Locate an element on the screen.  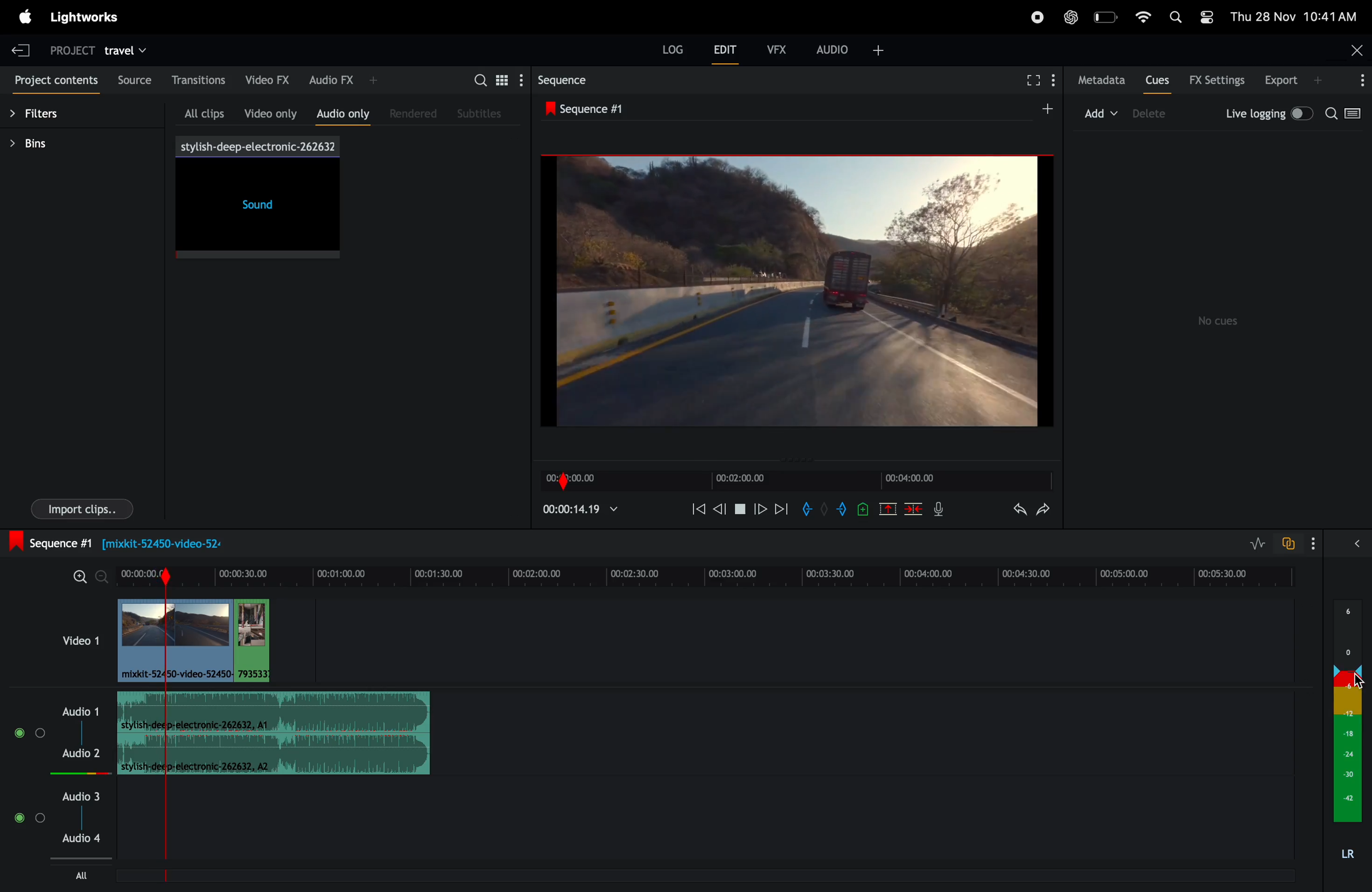
move forward one frame is located at coordinates (761, 509).